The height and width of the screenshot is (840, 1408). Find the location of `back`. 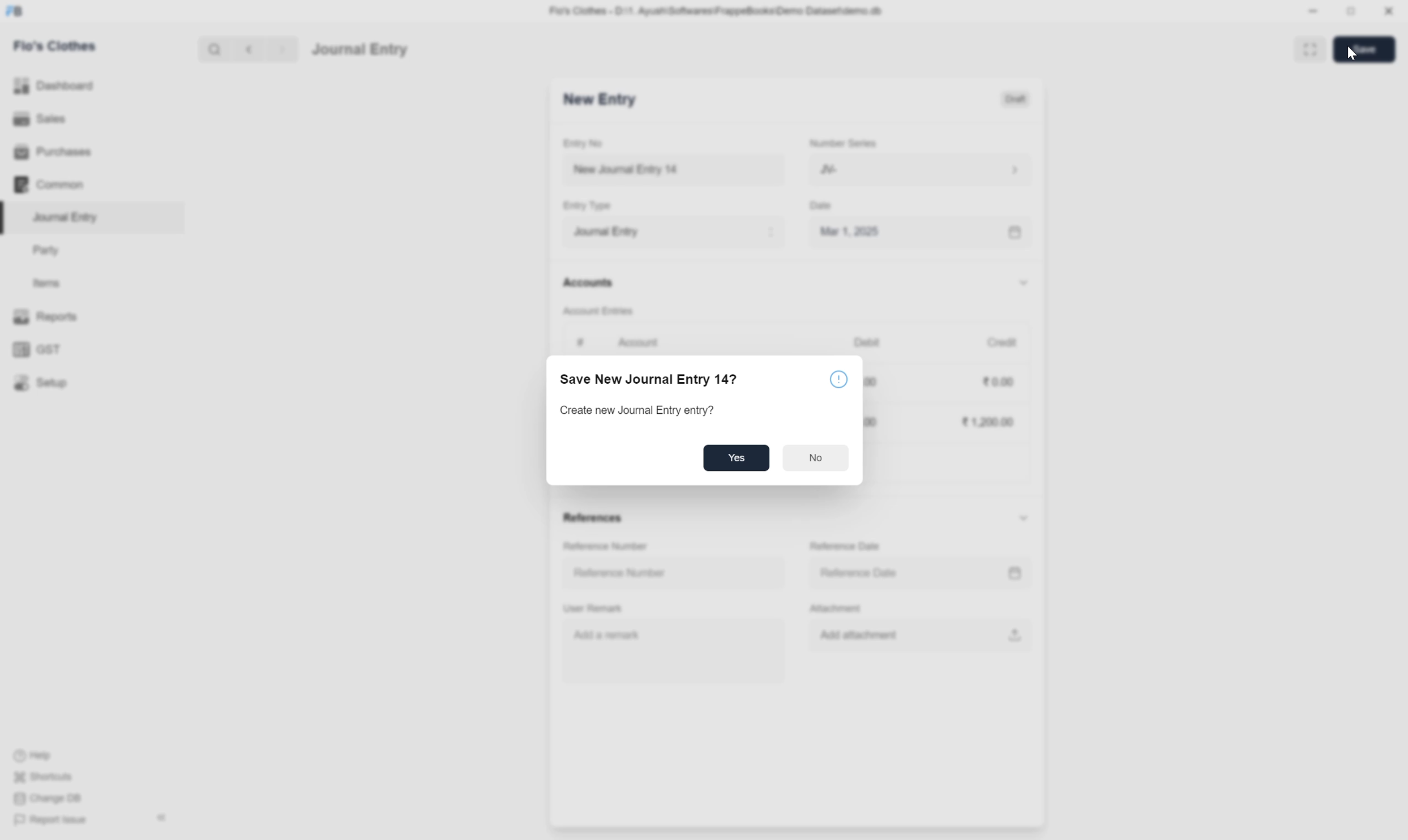

back is located at coordinates (246, 49).